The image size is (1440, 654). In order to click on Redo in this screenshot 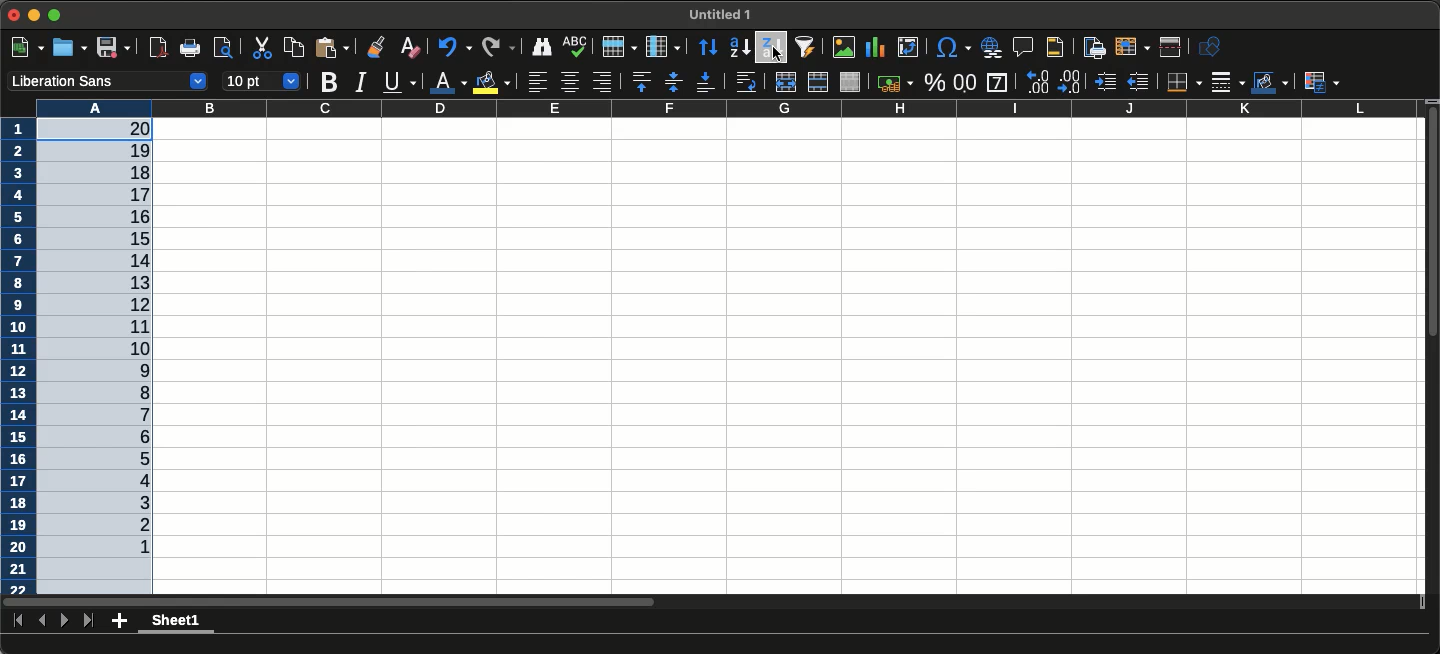, I will do `click(497, 45)`.